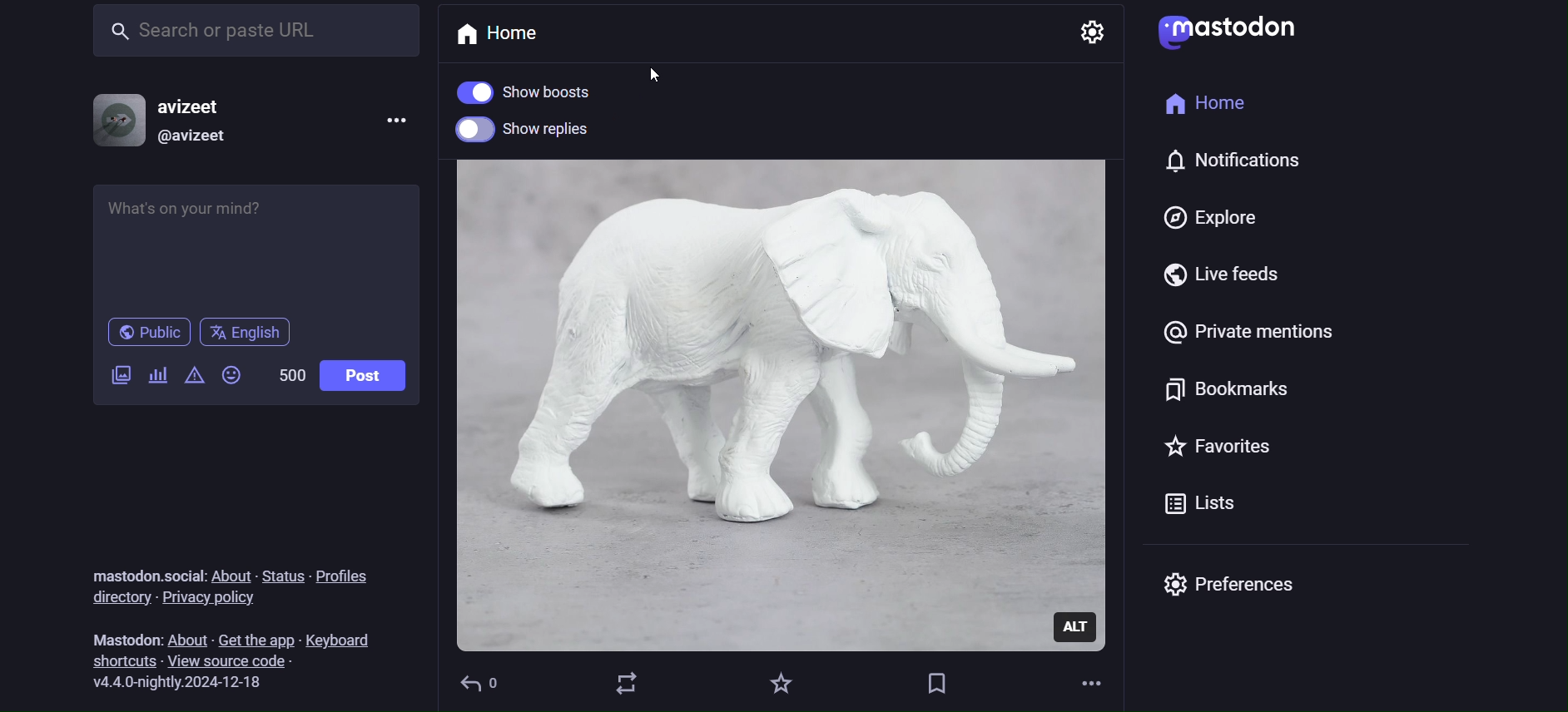  What do you see at coordinates (185, 638) in the screenshot?
I see `about` at bounding box center [185, 638].